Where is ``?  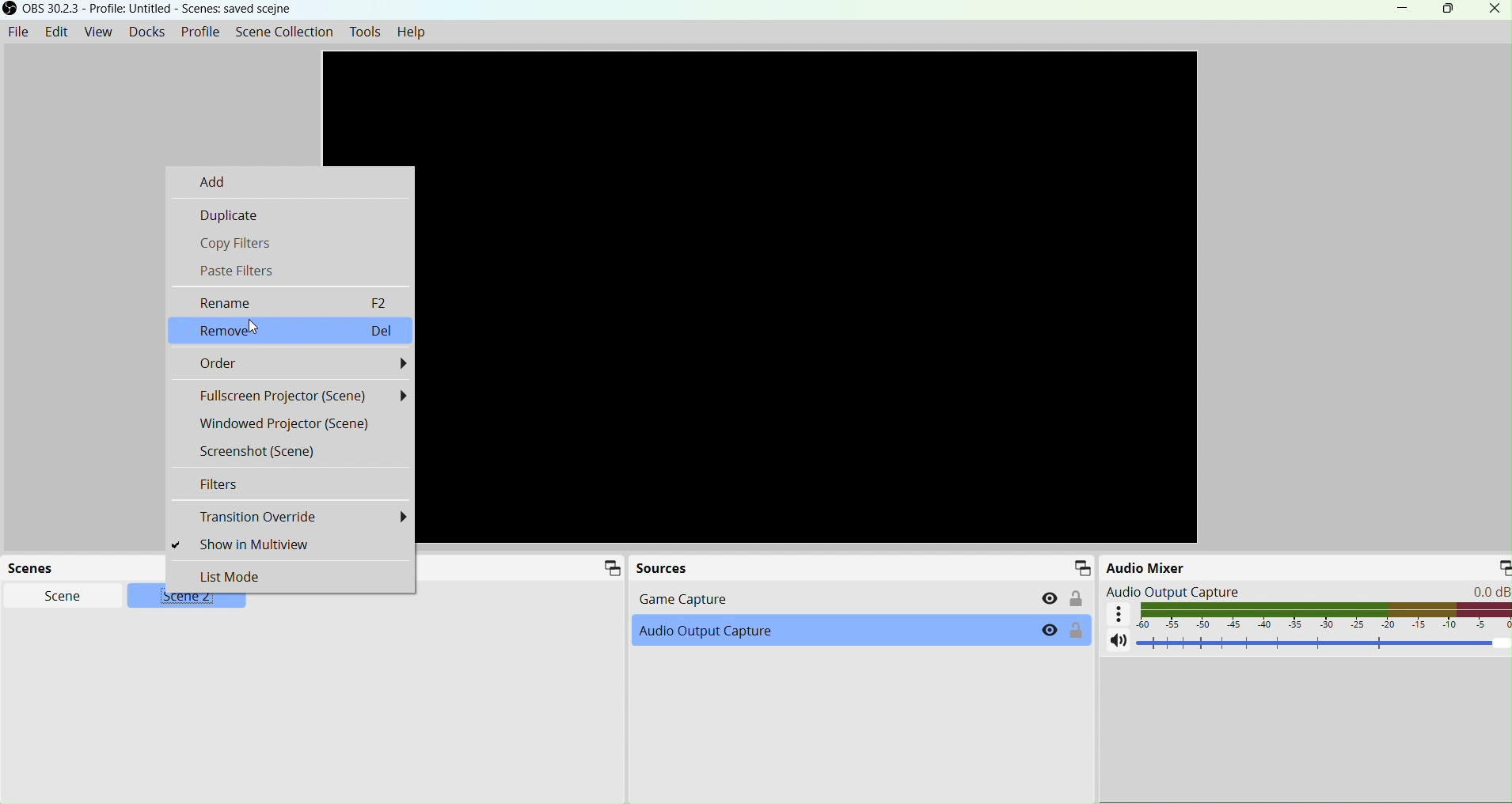  is located at coordinates (1121, 616).